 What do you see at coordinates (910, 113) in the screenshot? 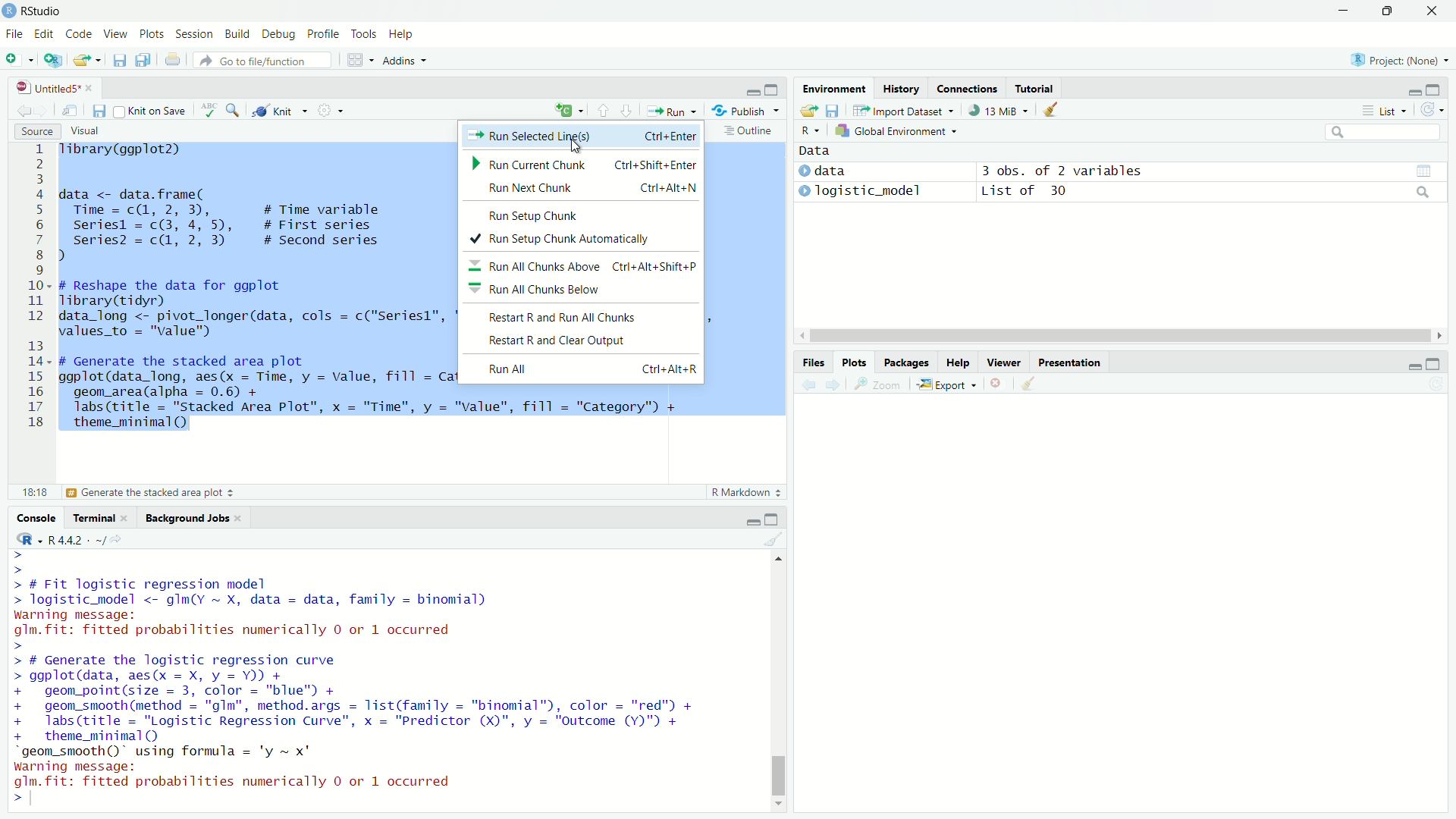
I see `Import Dataset` at bounding box center [910, 113].